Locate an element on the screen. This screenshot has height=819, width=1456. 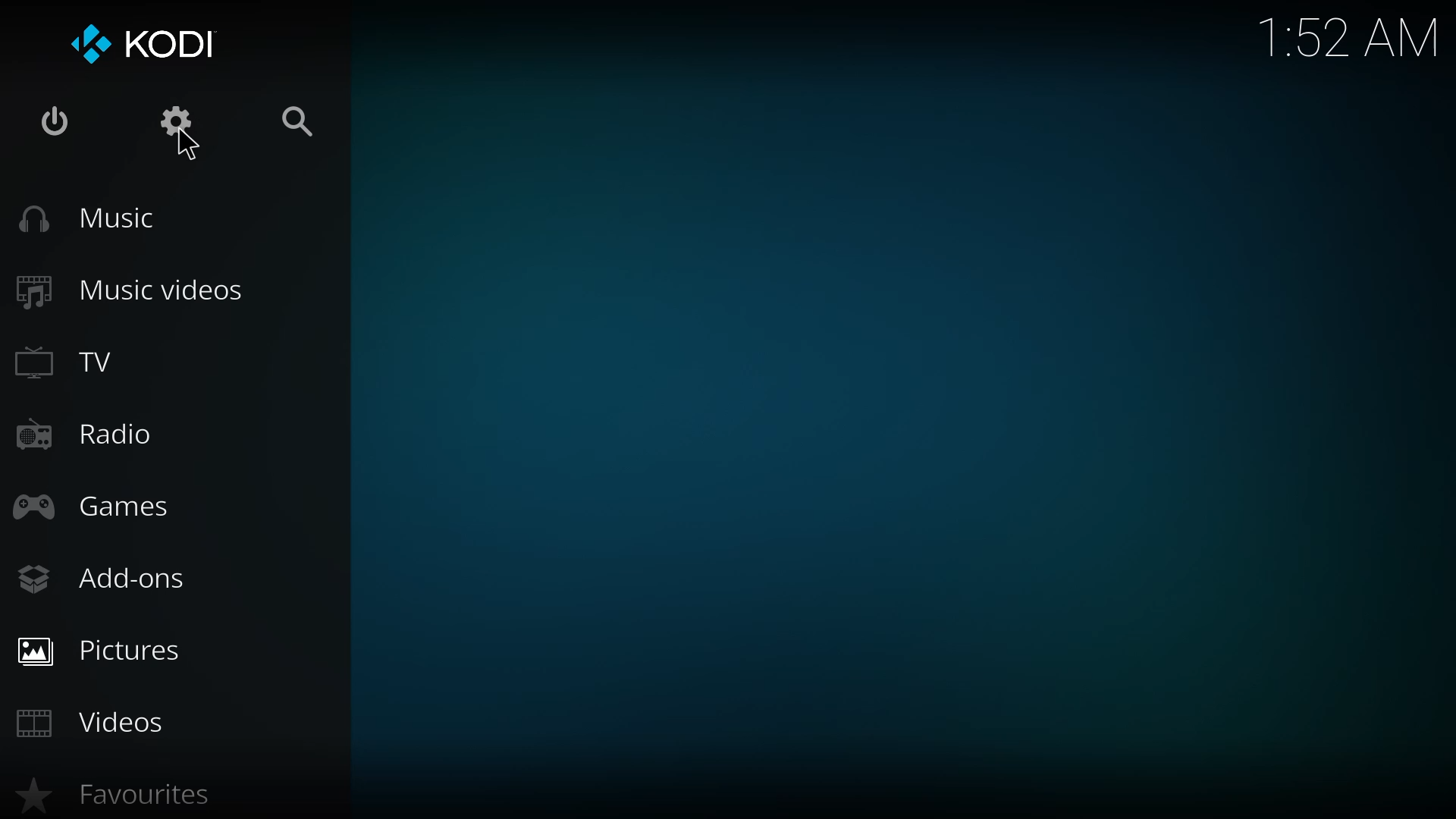
favorites is located at coordinates (124, 795).